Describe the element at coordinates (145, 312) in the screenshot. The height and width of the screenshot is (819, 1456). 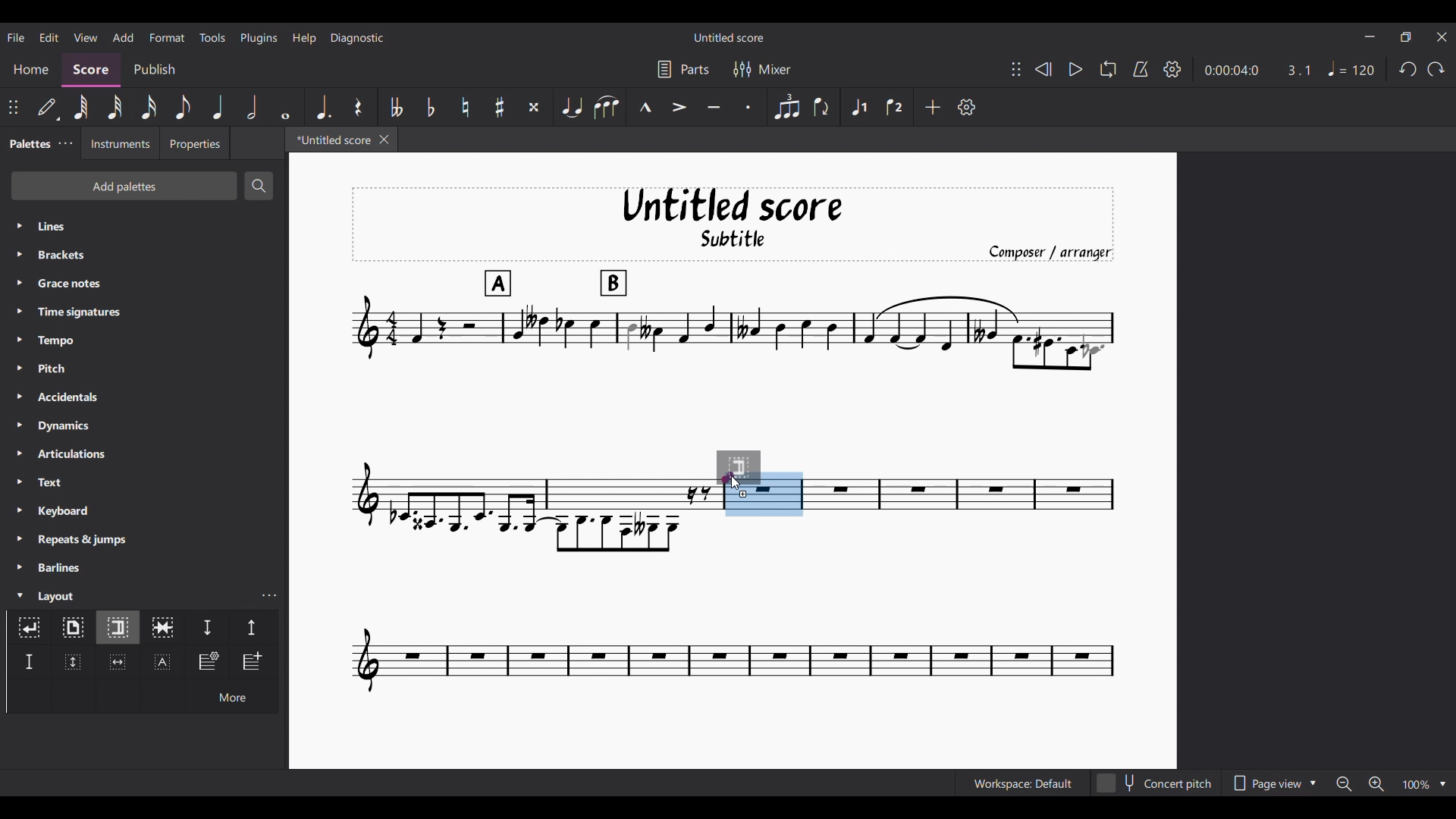
I see `Time signatures` at that location.